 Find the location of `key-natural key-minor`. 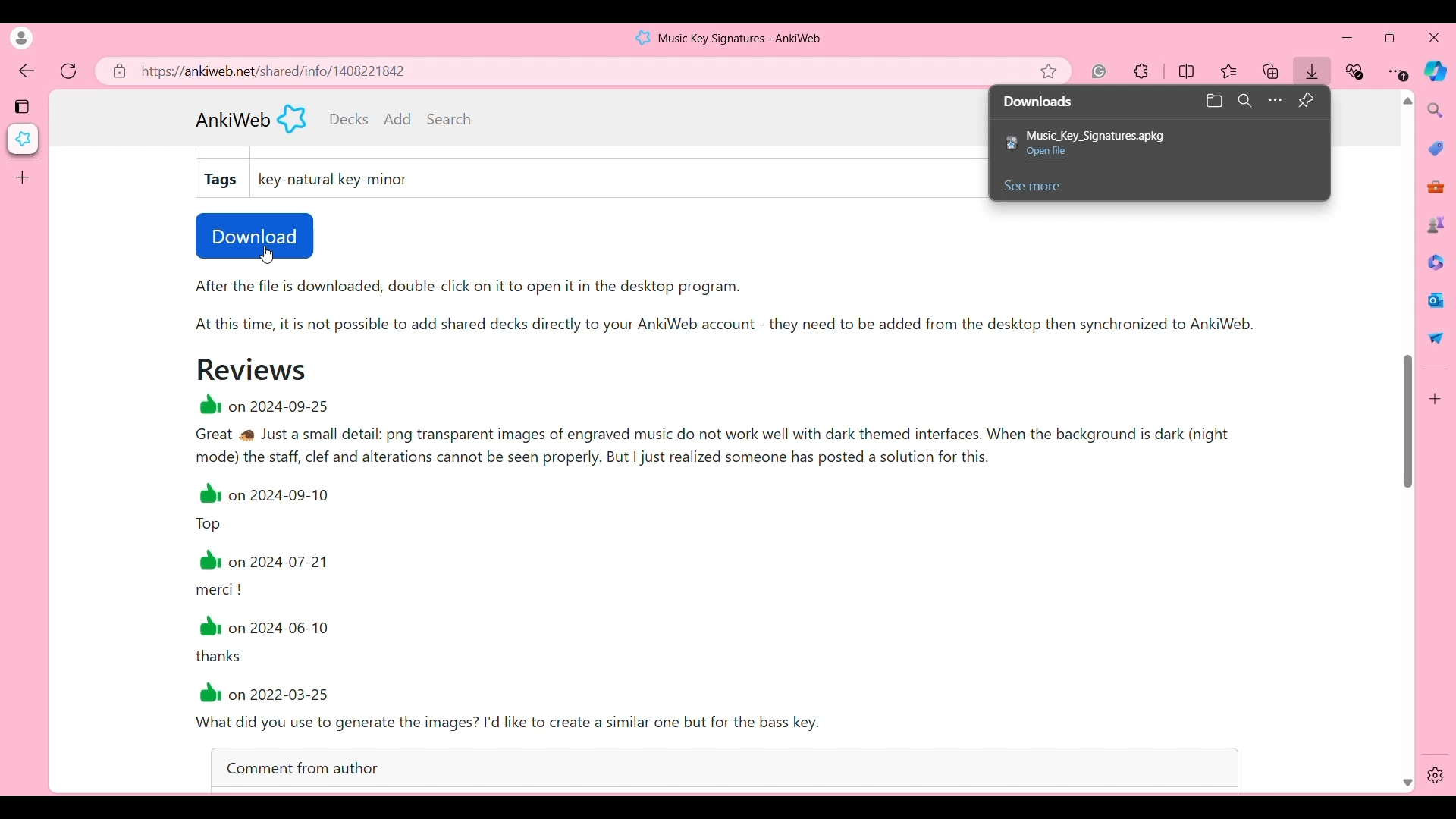

key-natural key-minor is located at coordinates (337, 180).